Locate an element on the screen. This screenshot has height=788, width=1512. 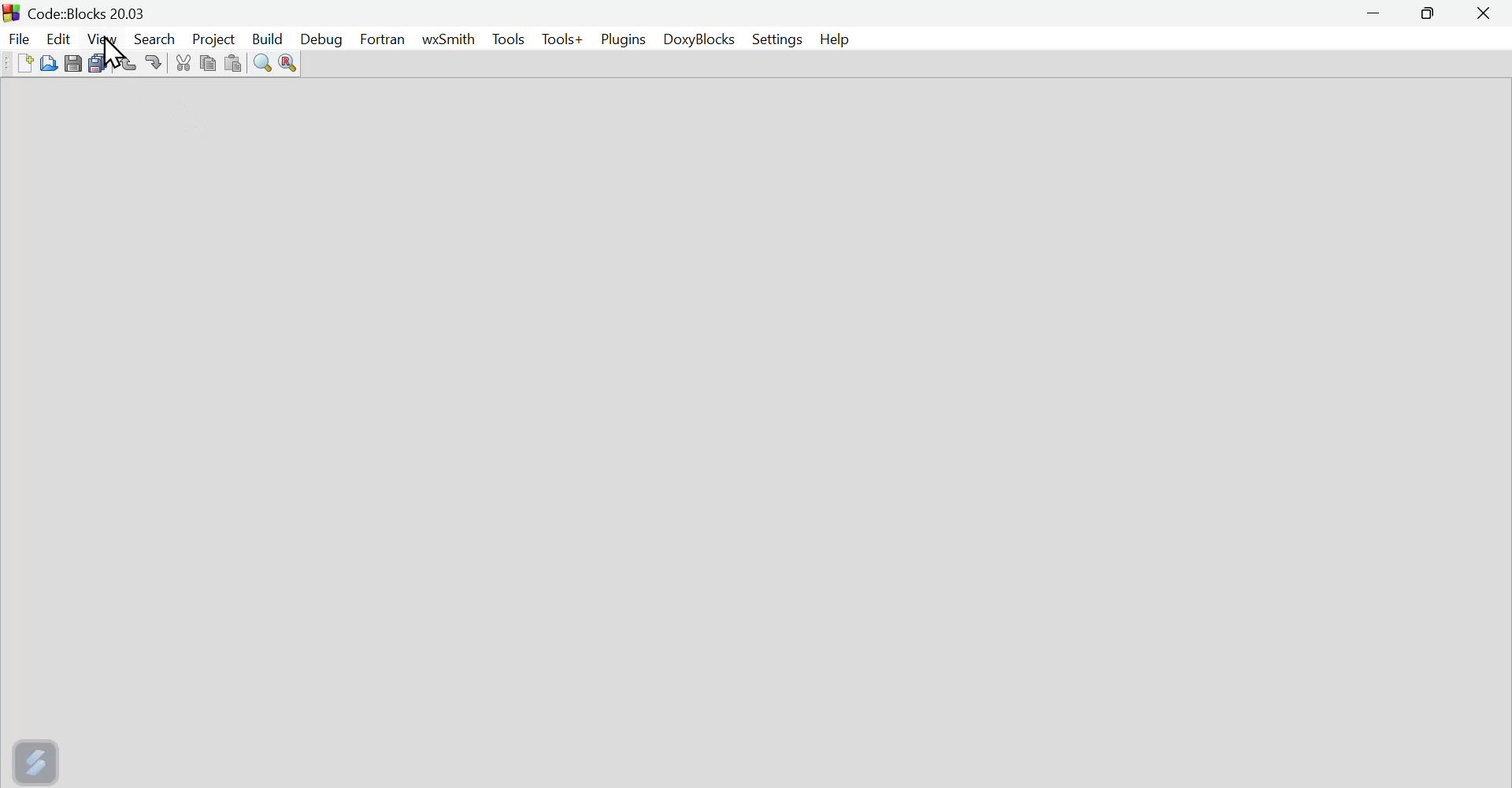
 is located at coordinates (508, 39).